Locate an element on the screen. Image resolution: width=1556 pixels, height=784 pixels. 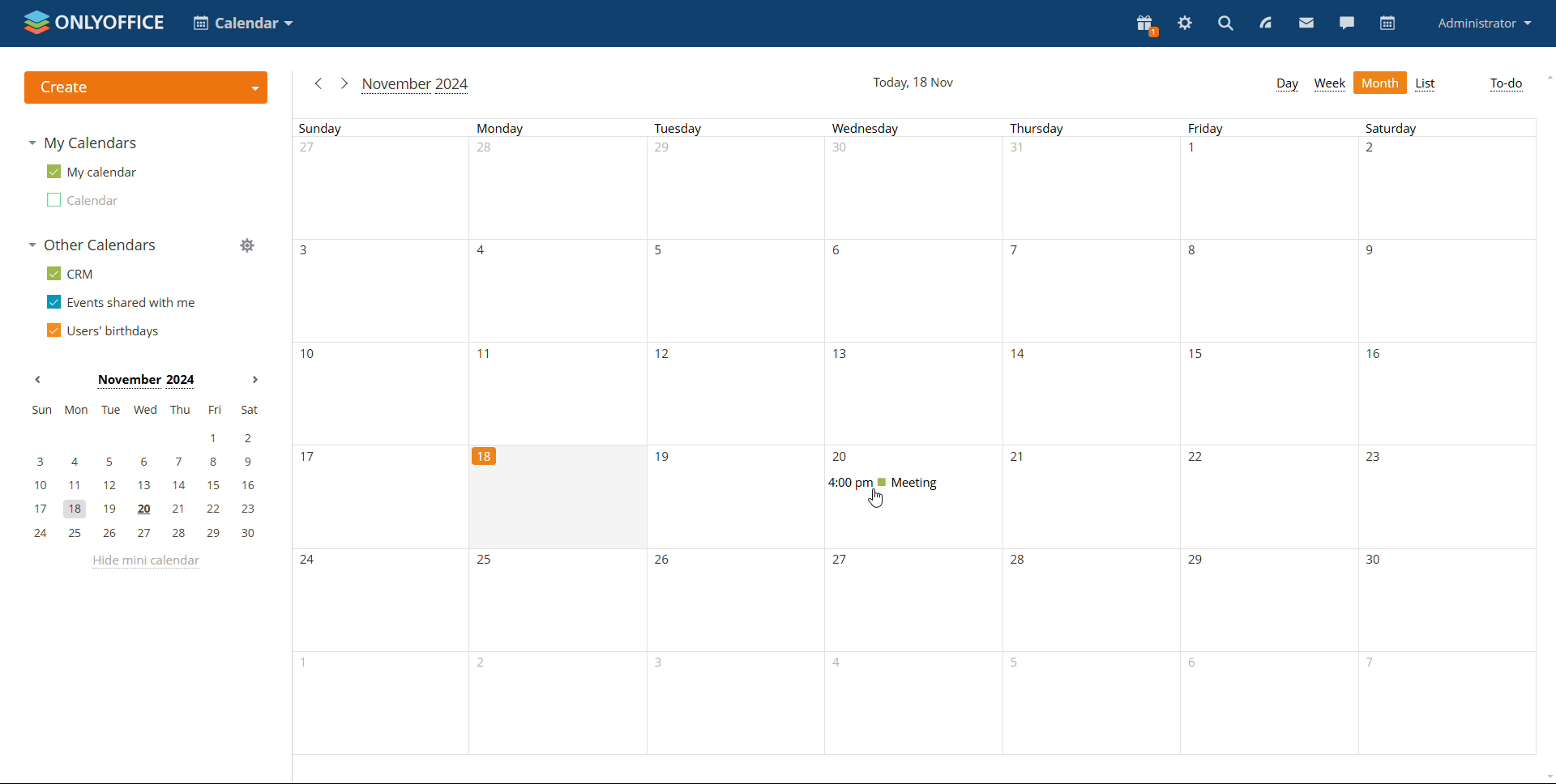
logo is located at coordinates (95, 23).